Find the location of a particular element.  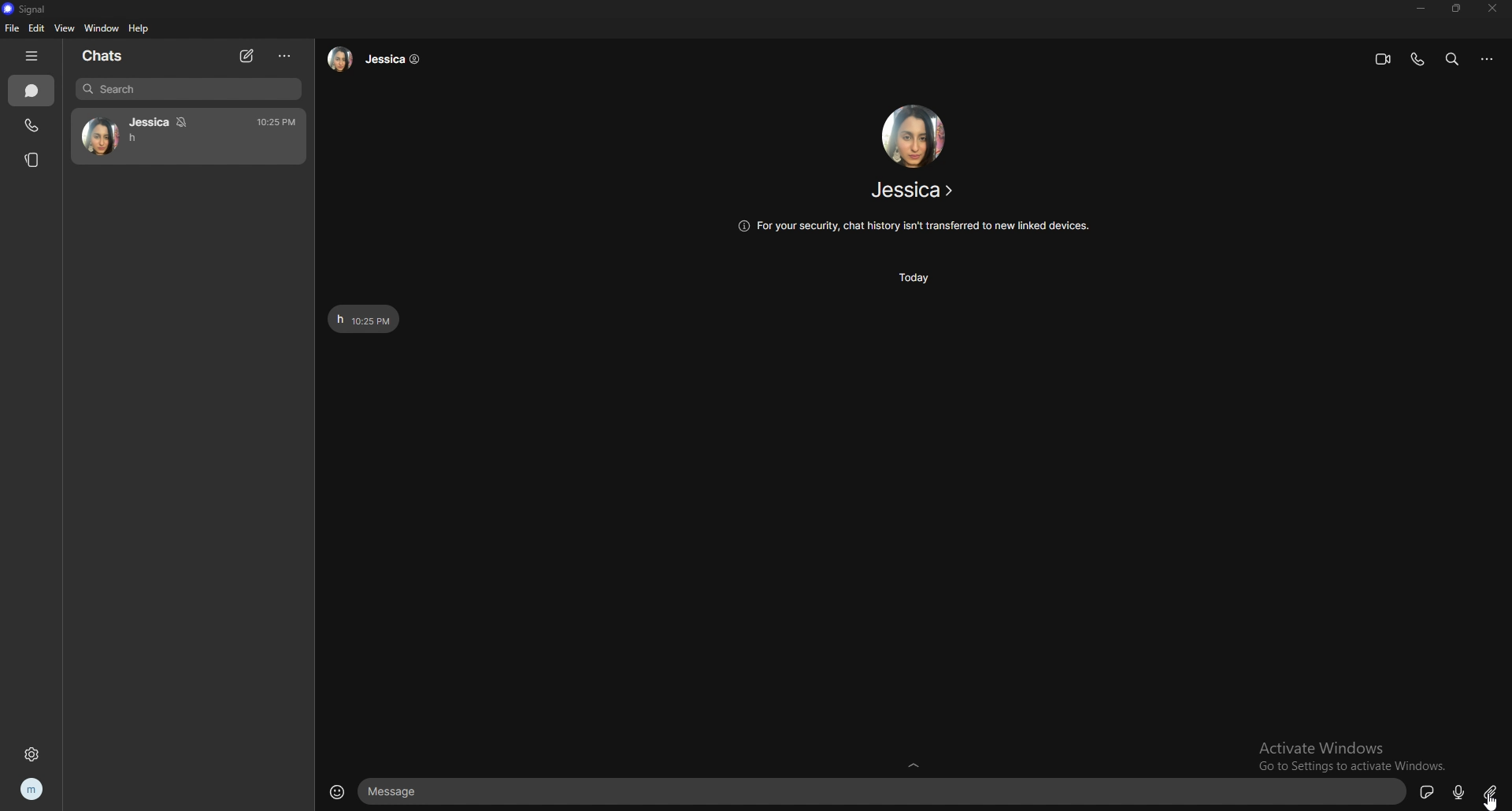

voice call is located at coordinates (1417, 59).